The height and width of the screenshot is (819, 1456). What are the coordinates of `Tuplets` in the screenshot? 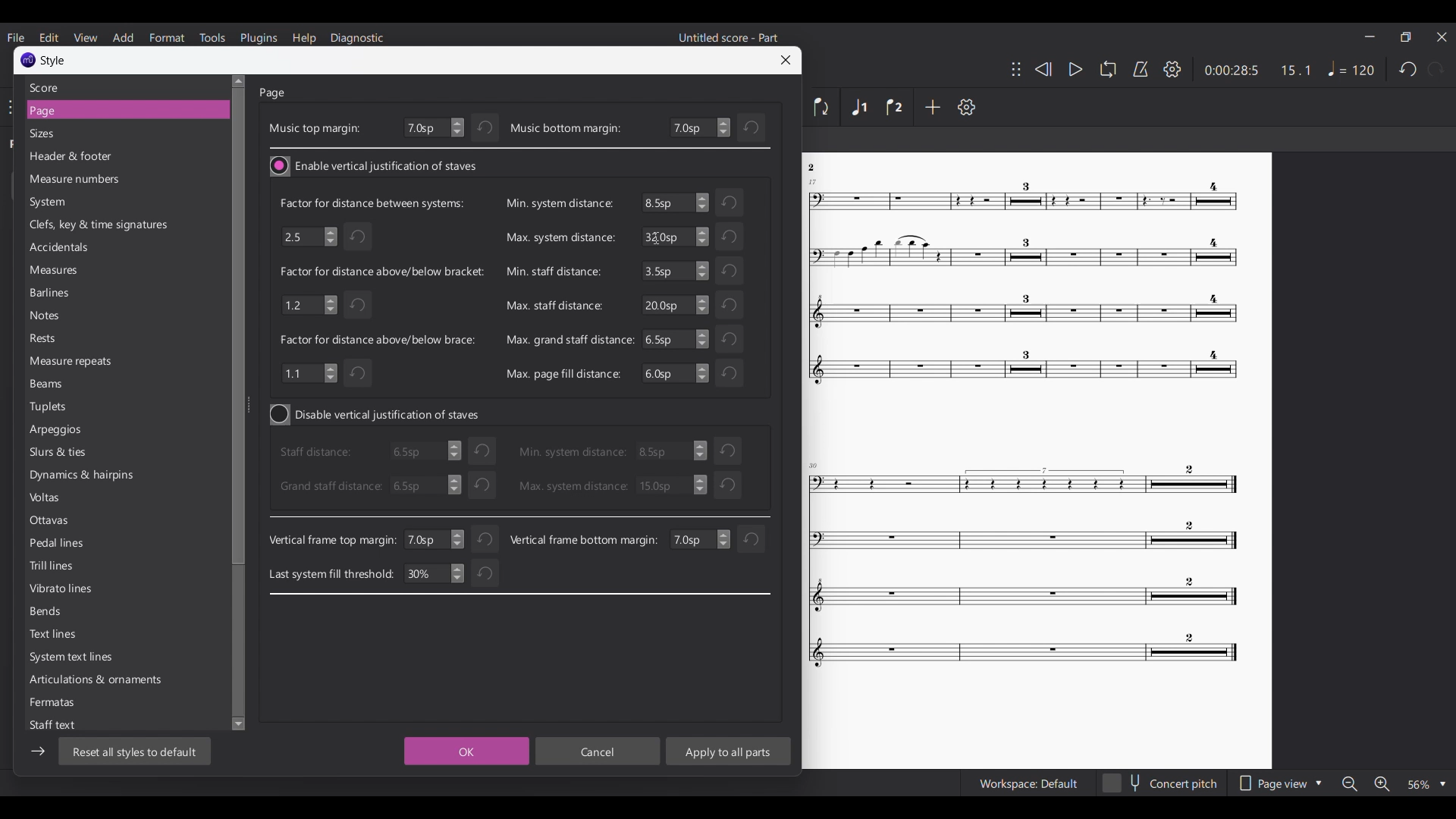 It's located at (71, 406).